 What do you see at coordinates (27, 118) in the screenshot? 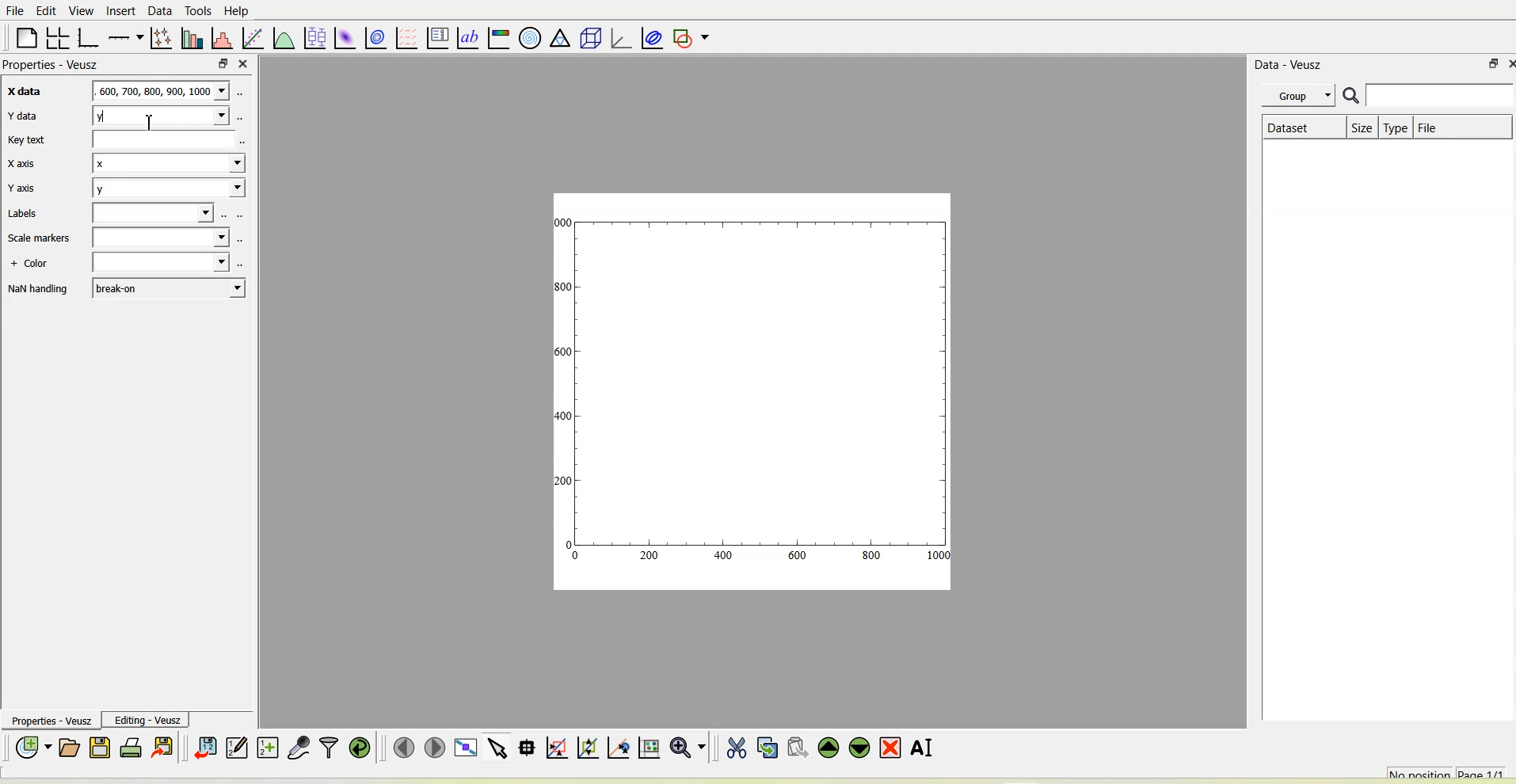
I see `Y data` at bounding box center [27, 118].